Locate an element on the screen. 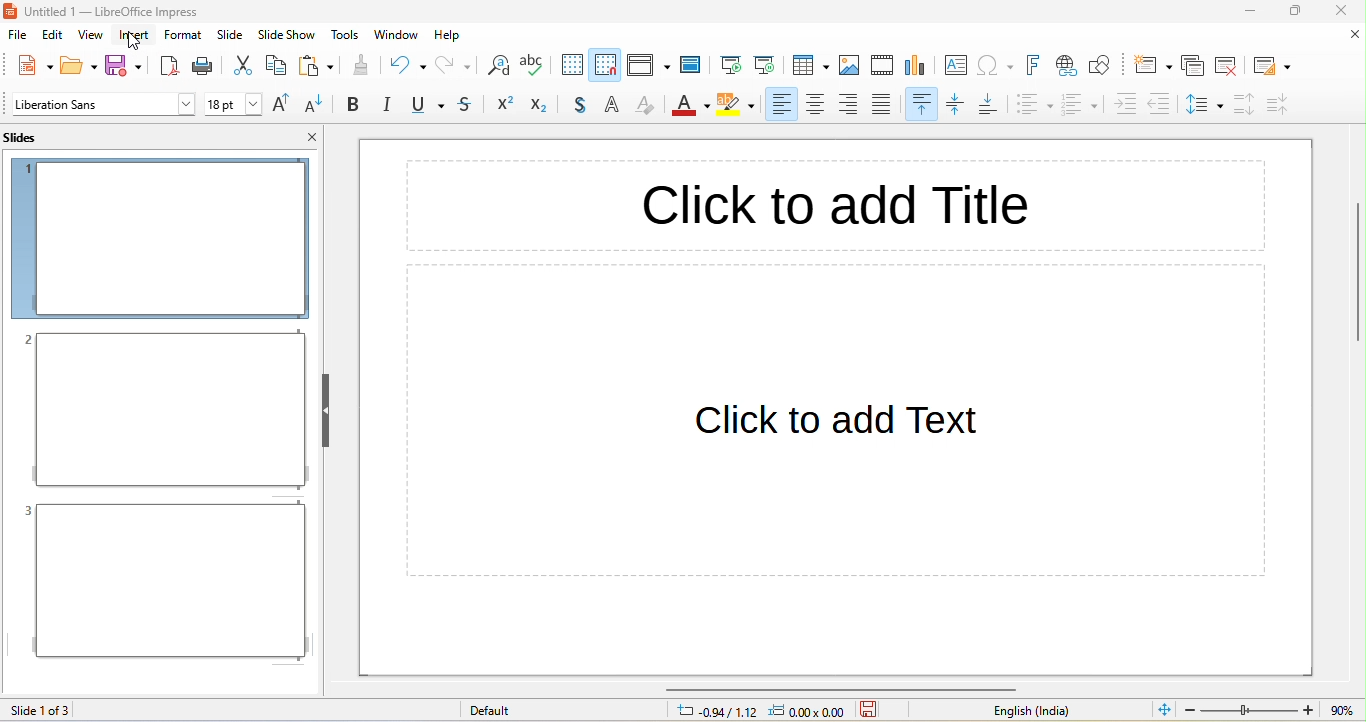 This screenshot has width=1366, height=722. edit is located at coordinates (56, 37).